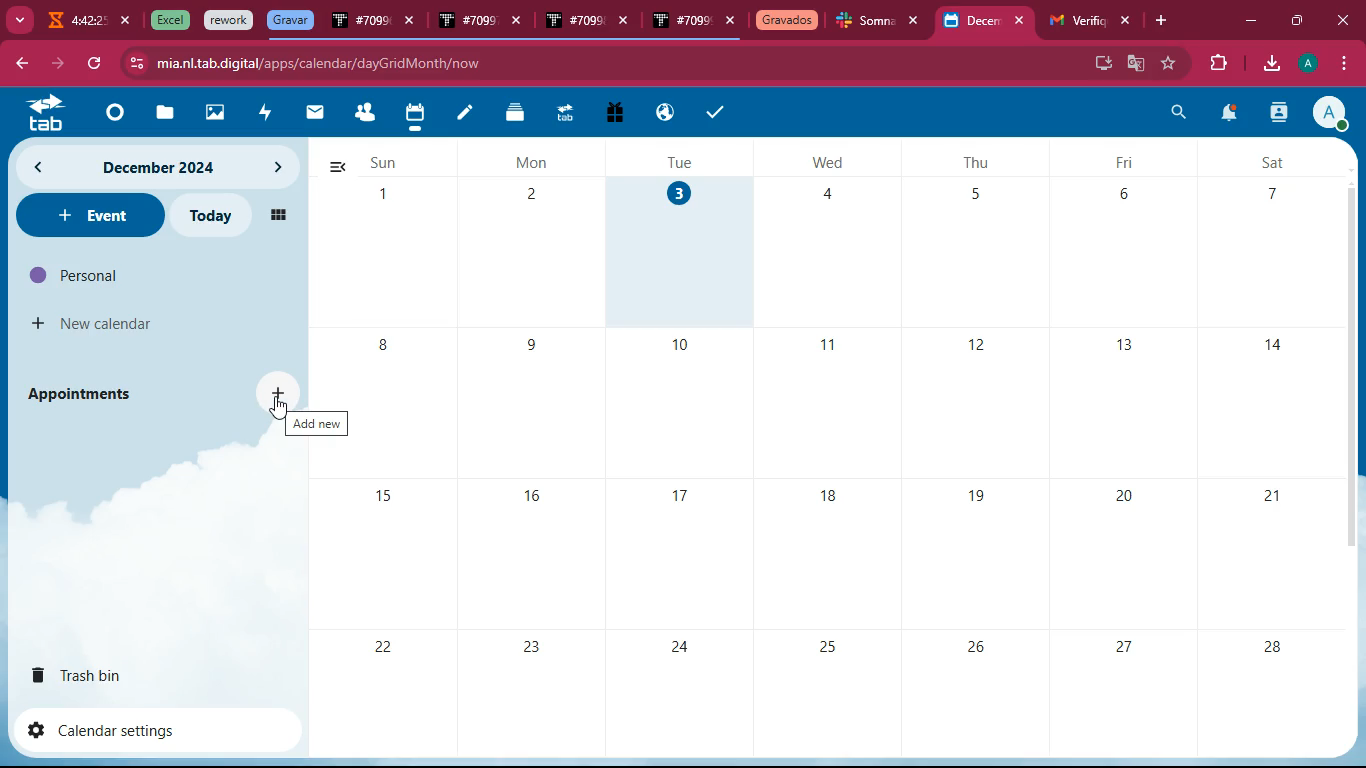 The image size is (1366, 768). Describe the element at coordinates (116, 275) in the screenshot. I see `personal` at that location.